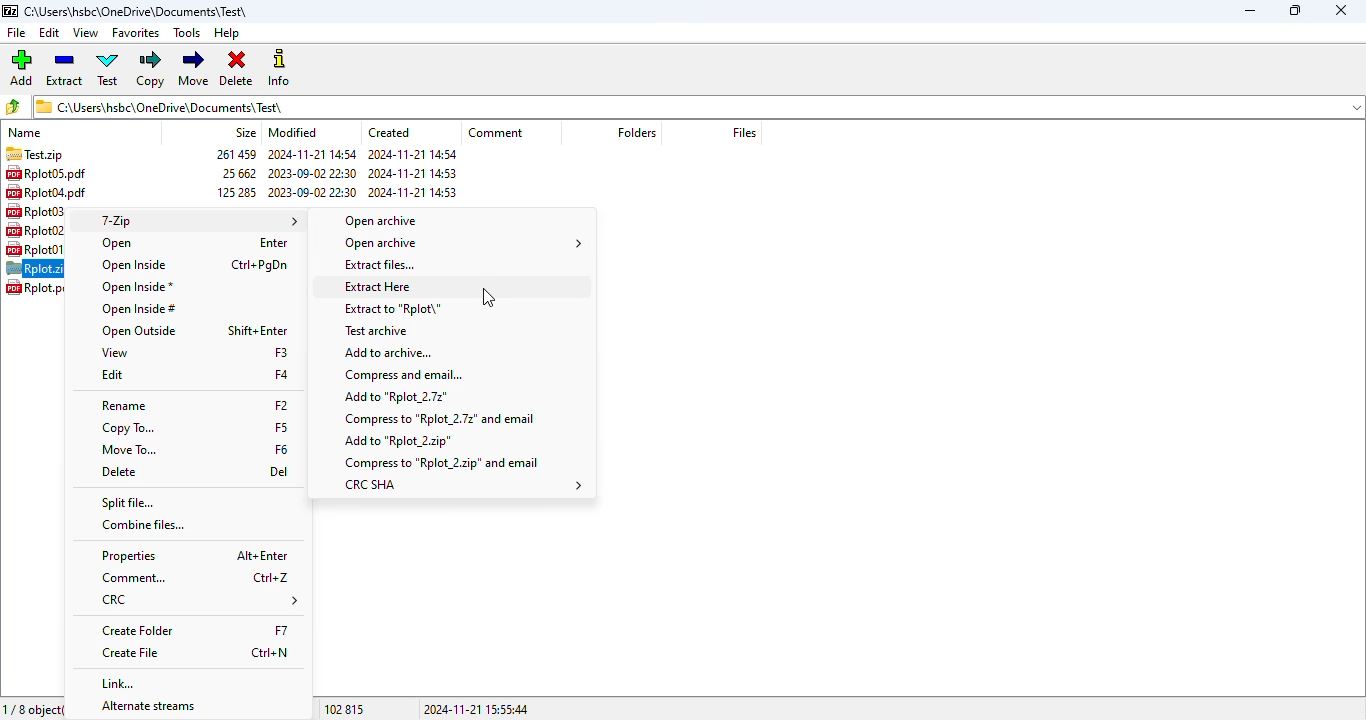 This screenshot has width=1366, height=720. I want to click on extract files, so click(379, 264).